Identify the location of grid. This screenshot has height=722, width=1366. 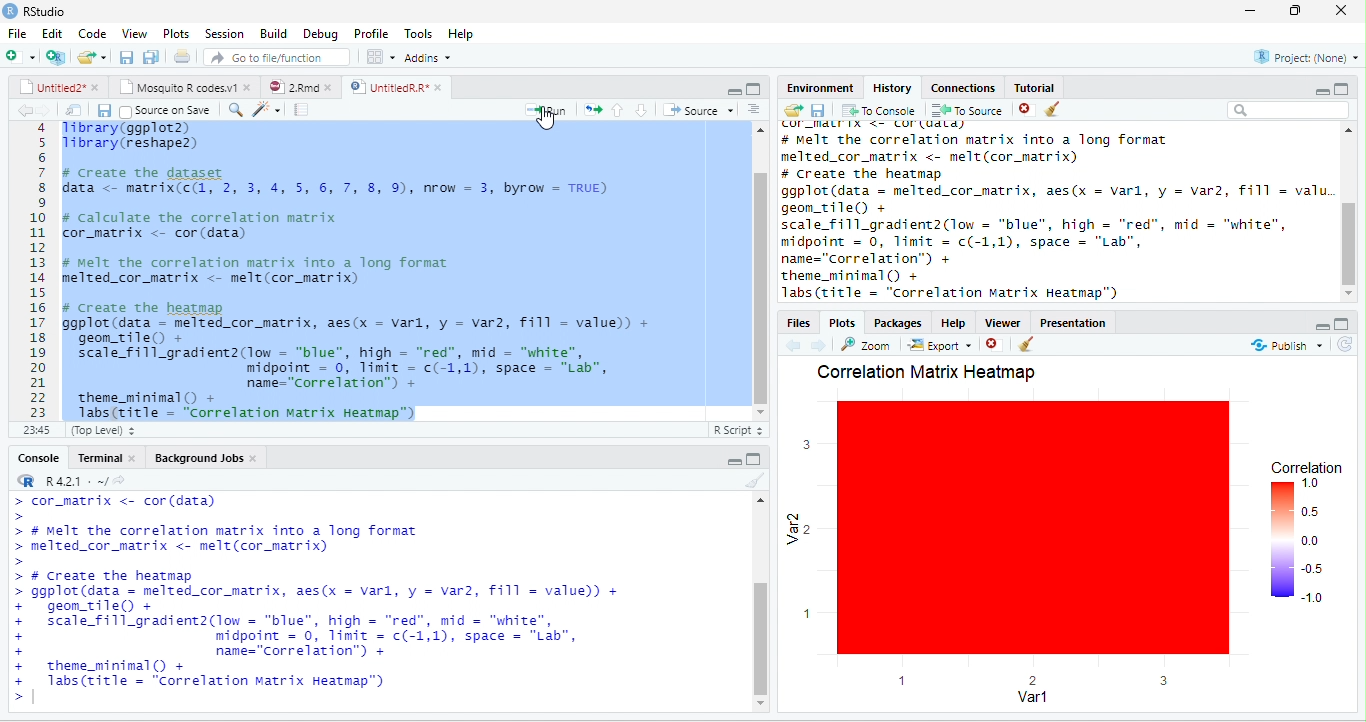
(380, 58).